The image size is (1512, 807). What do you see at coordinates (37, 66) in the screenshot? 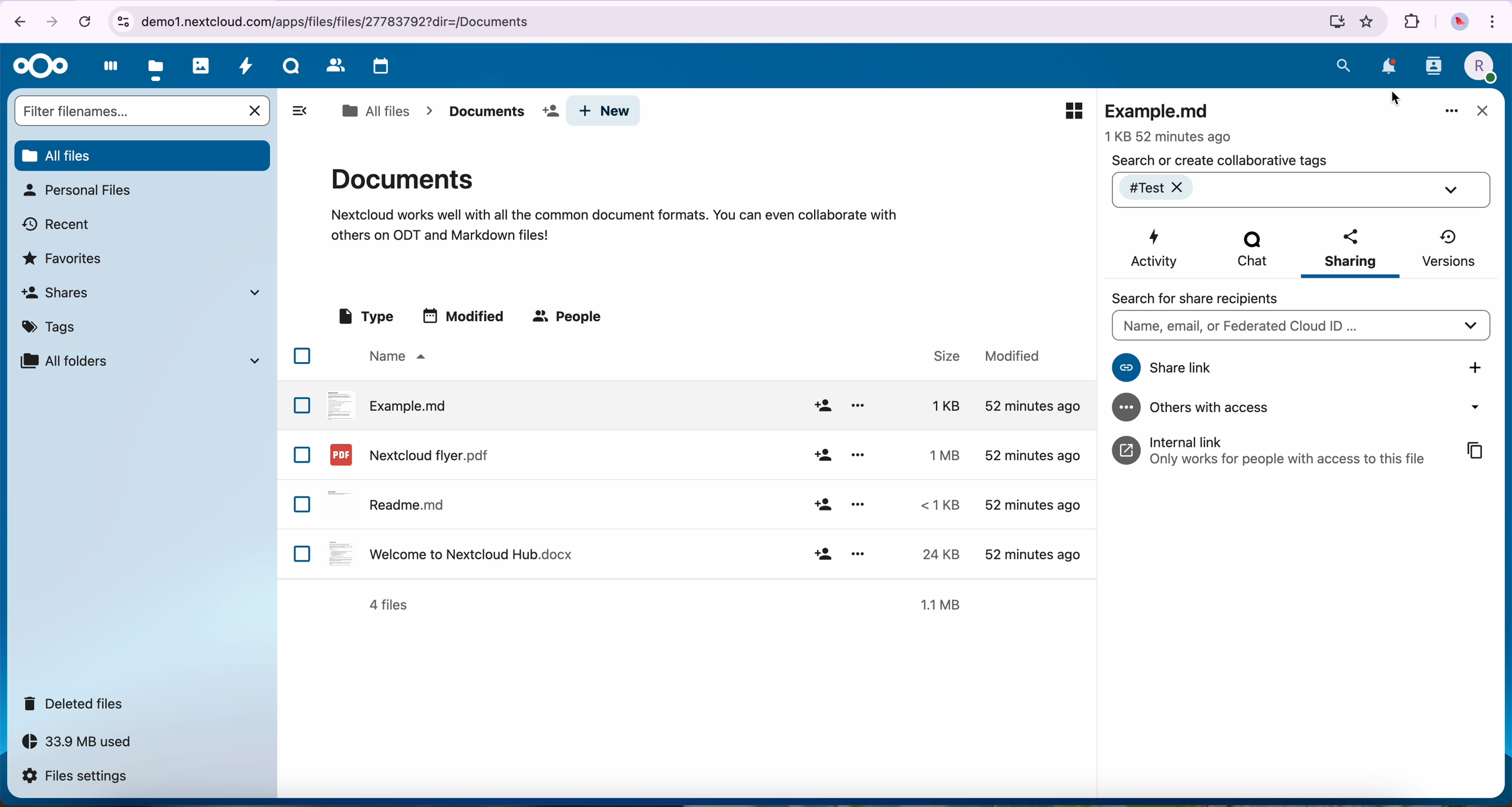
I see `Nextcloud logo` at bounding box center [37, 66].